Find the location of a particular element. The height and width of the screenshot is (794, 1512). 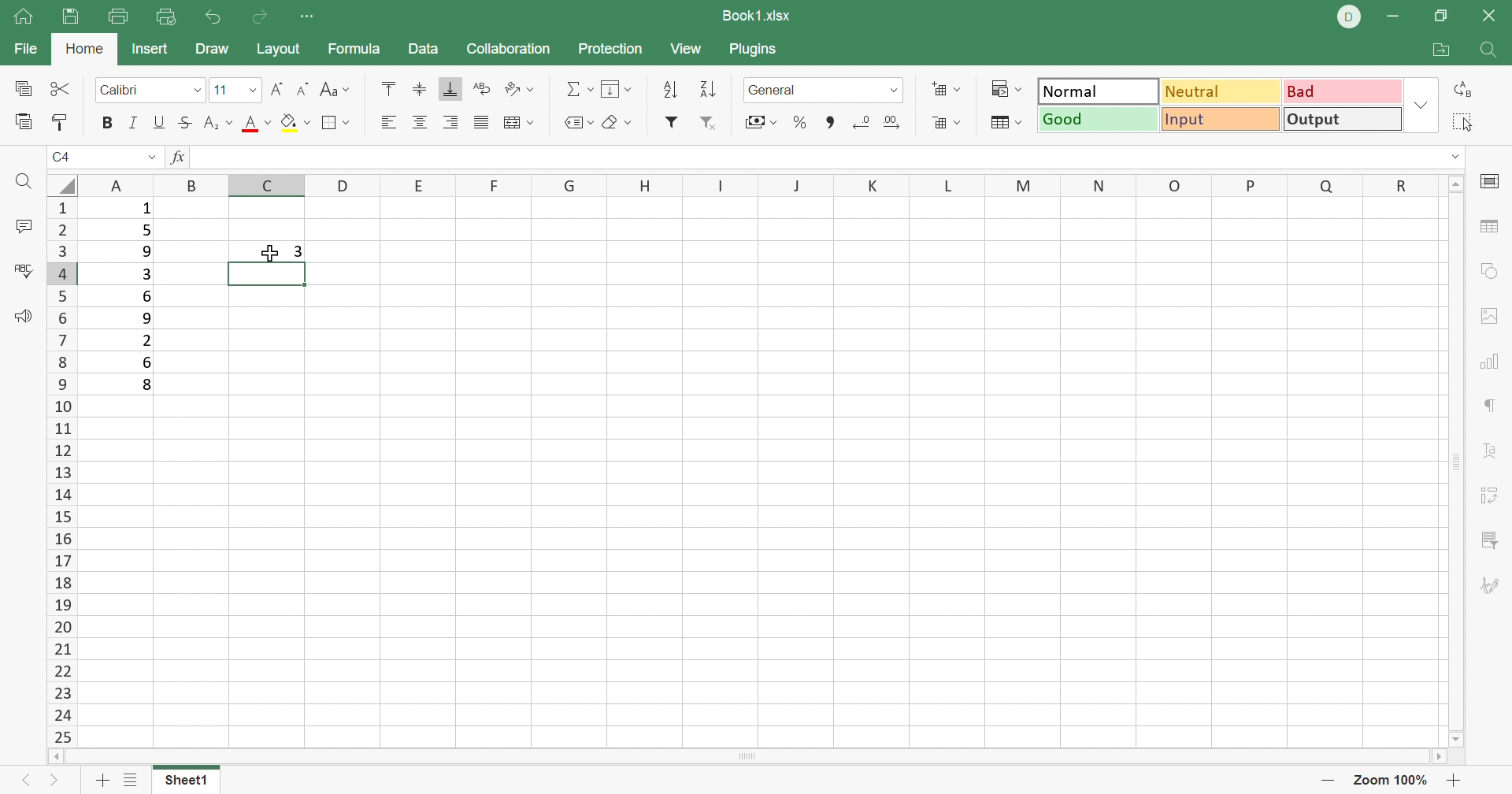

Italic is located at coordinates (135, 121).